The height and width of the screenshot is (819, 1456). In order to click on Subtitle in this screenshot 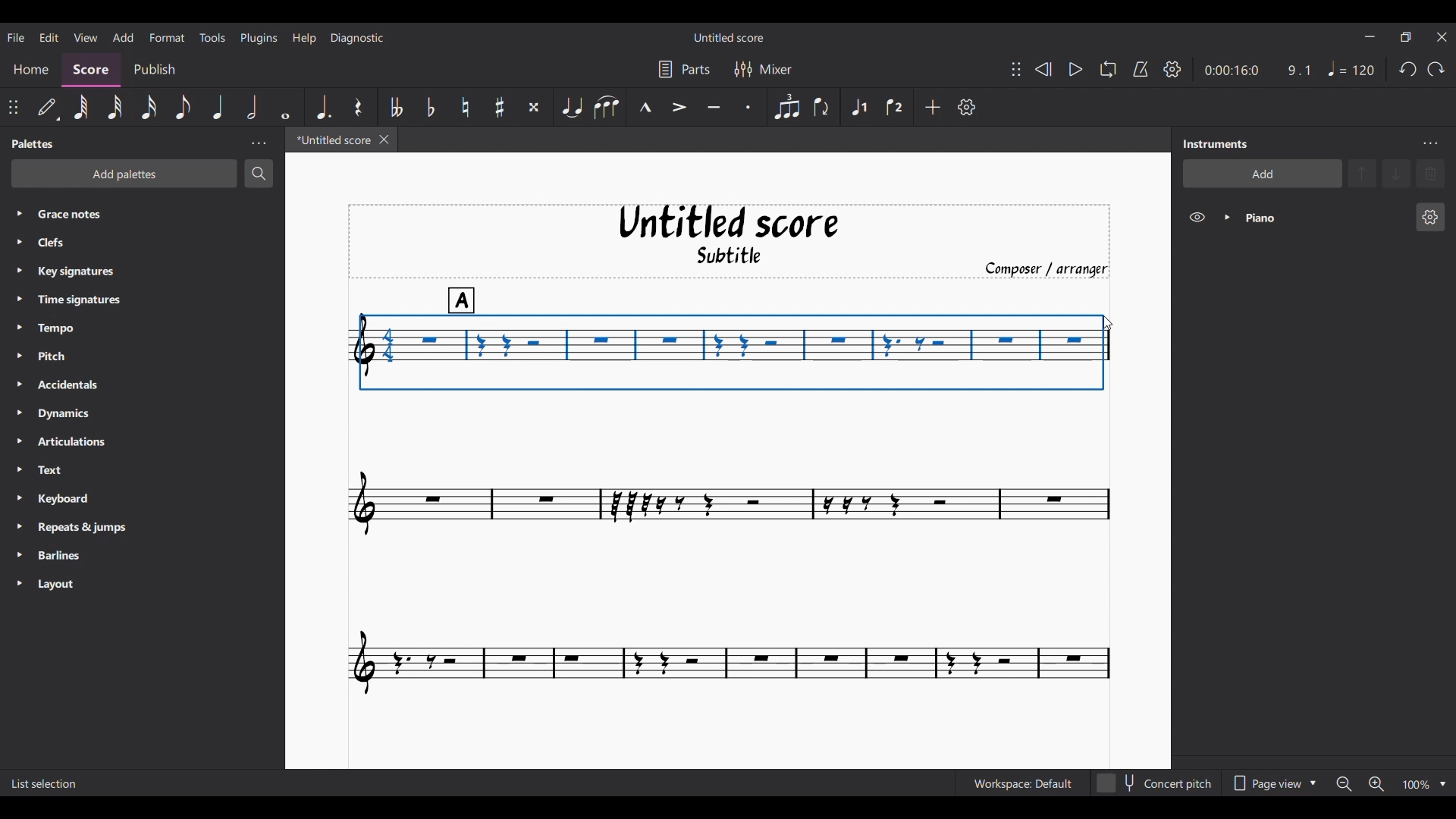, I will do `click(745, 255)`.